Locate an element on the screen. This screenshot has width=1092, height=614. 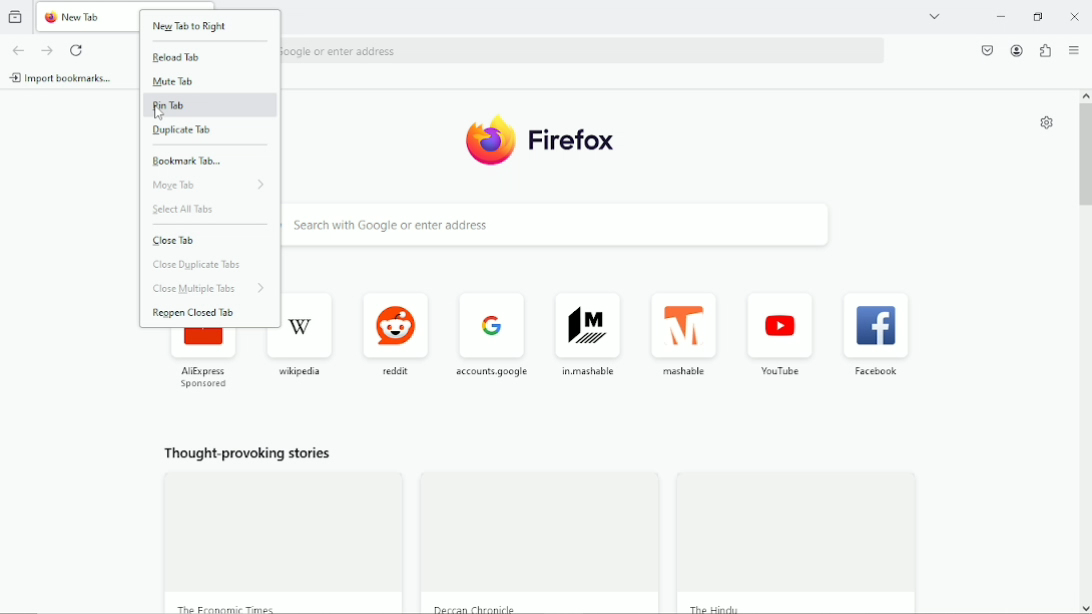
mashable is located at coordinates (689, 336).